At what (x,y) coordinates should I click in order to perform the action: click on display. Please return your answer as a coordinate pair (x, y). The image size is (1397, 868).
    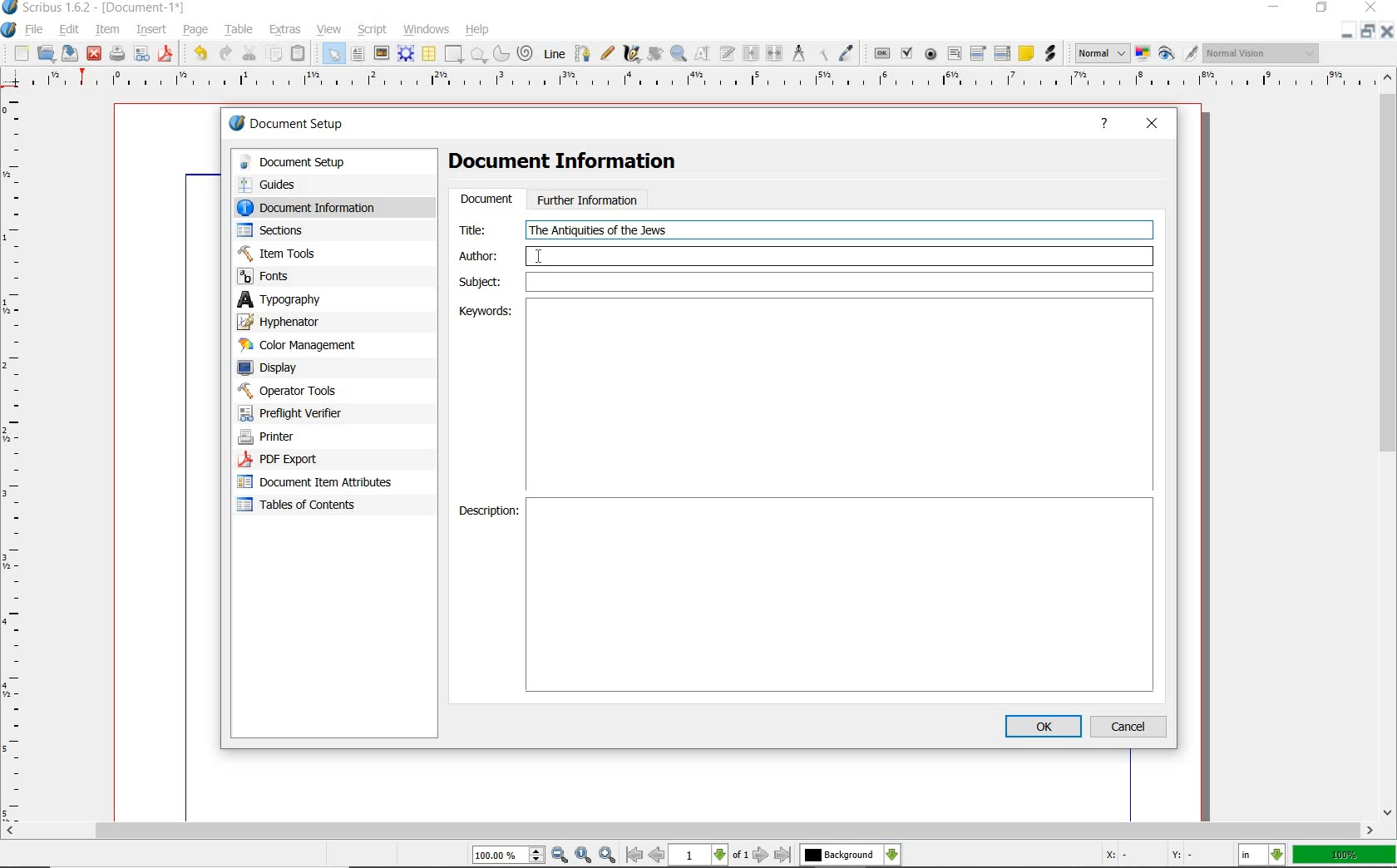
    Looking at the image, I should click on (297, 367).